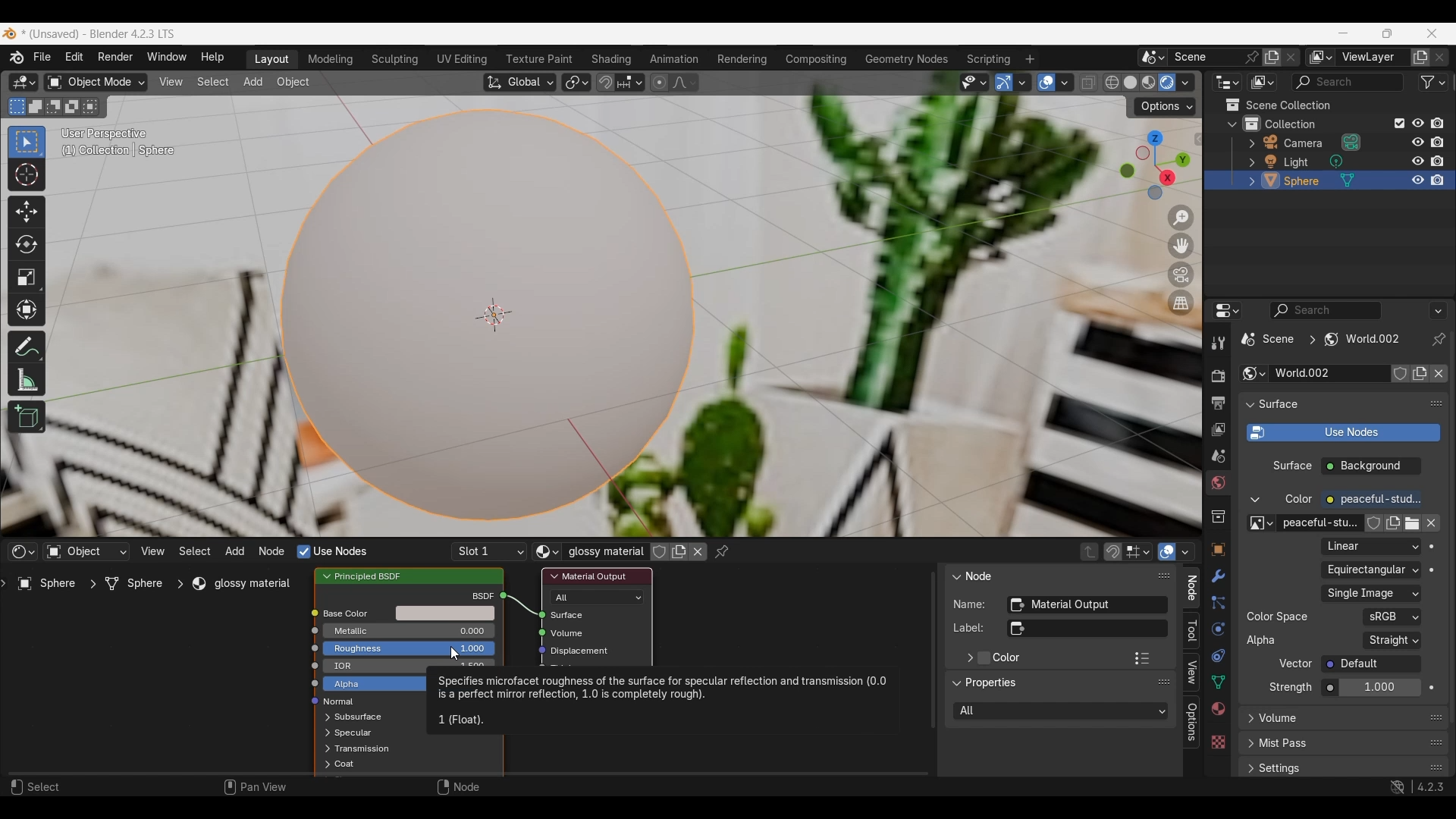 The width and height of the screenshot is (1456, 819). I want to click on View menu, so click(171, 83).